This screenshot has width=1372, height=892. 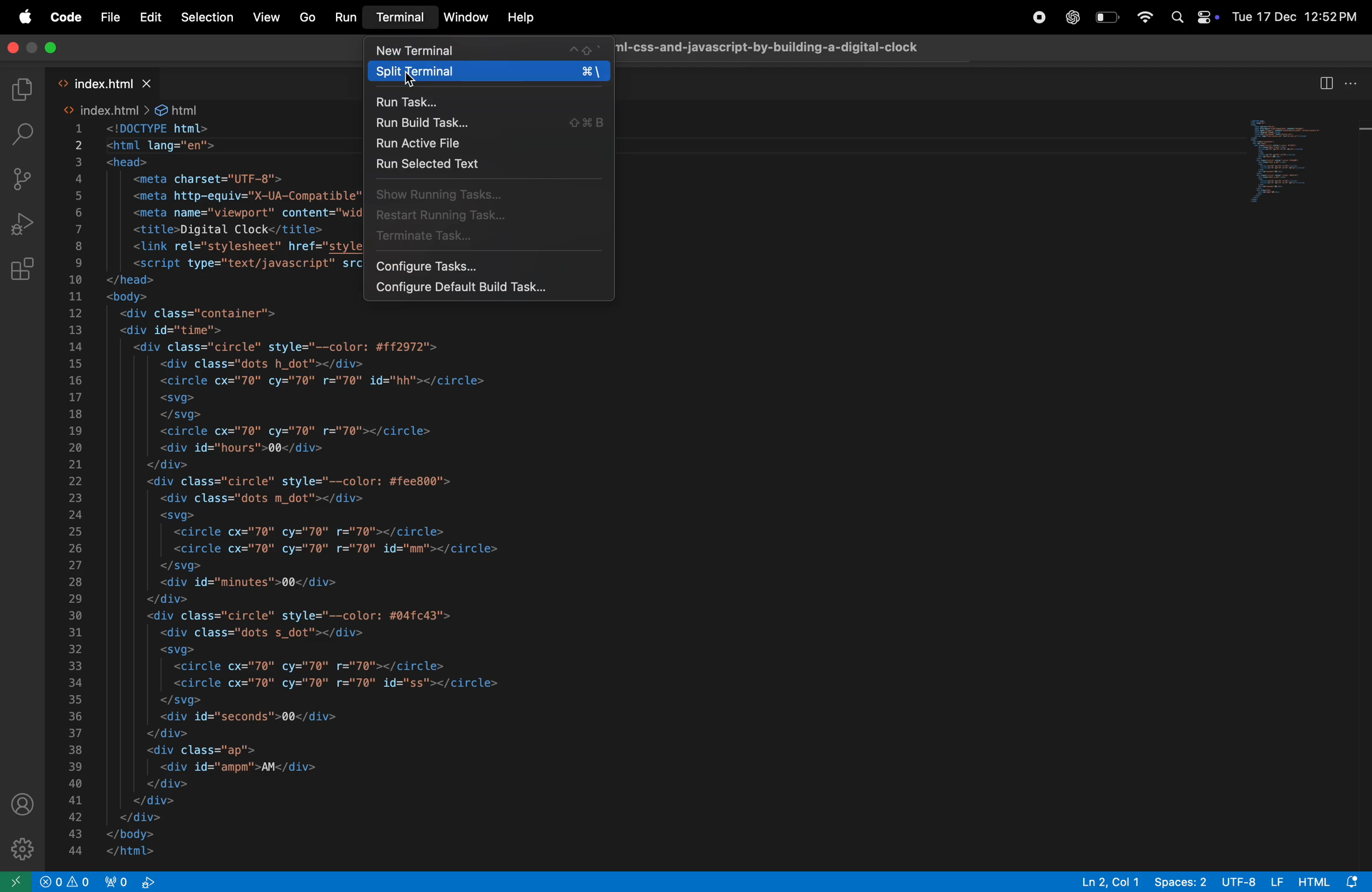 I want to click on options, so click(x=1354, y=83).